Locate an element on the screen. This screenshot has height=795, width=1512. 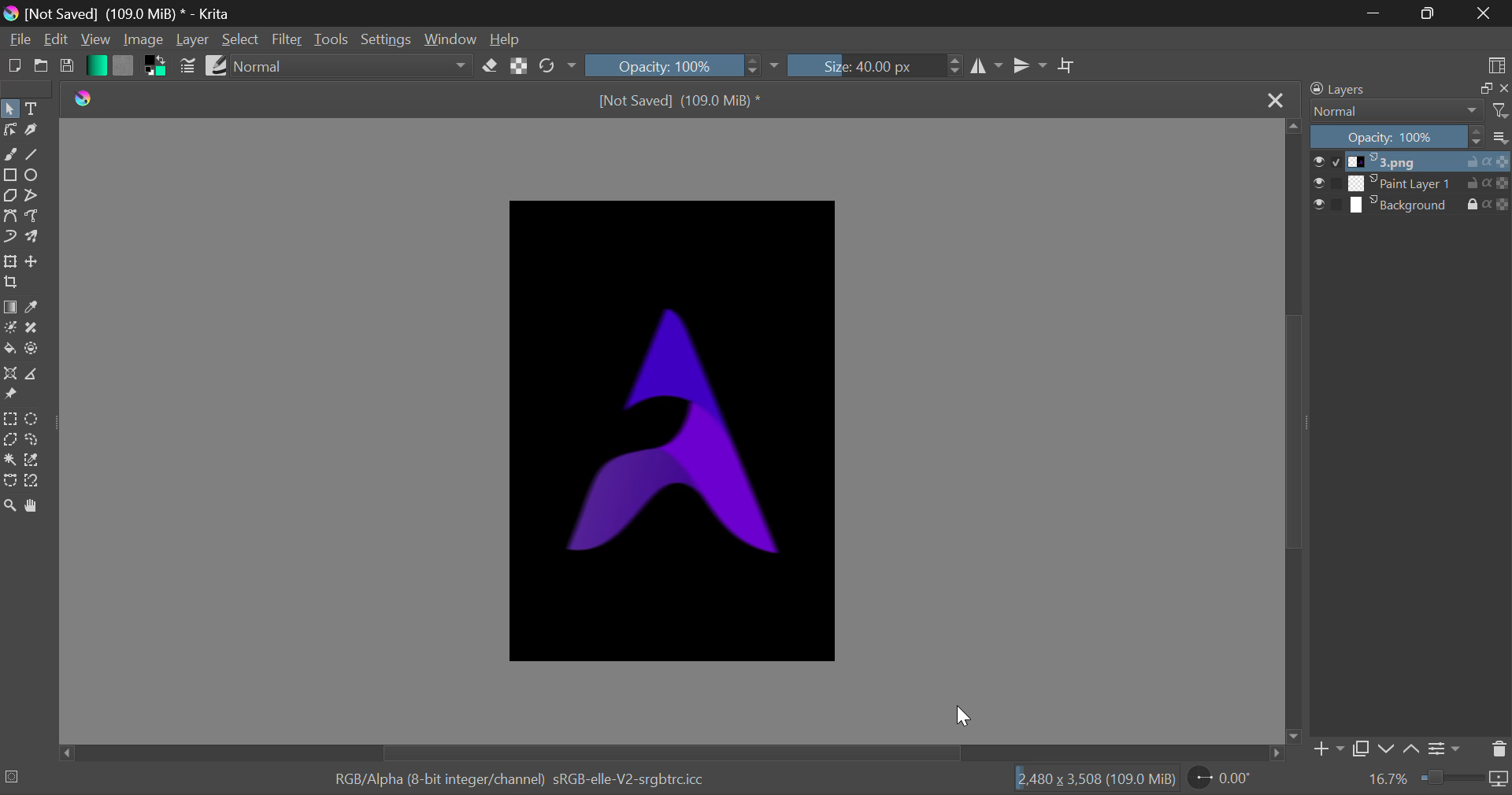
zoom slider is located at coordinates (1465, 779).